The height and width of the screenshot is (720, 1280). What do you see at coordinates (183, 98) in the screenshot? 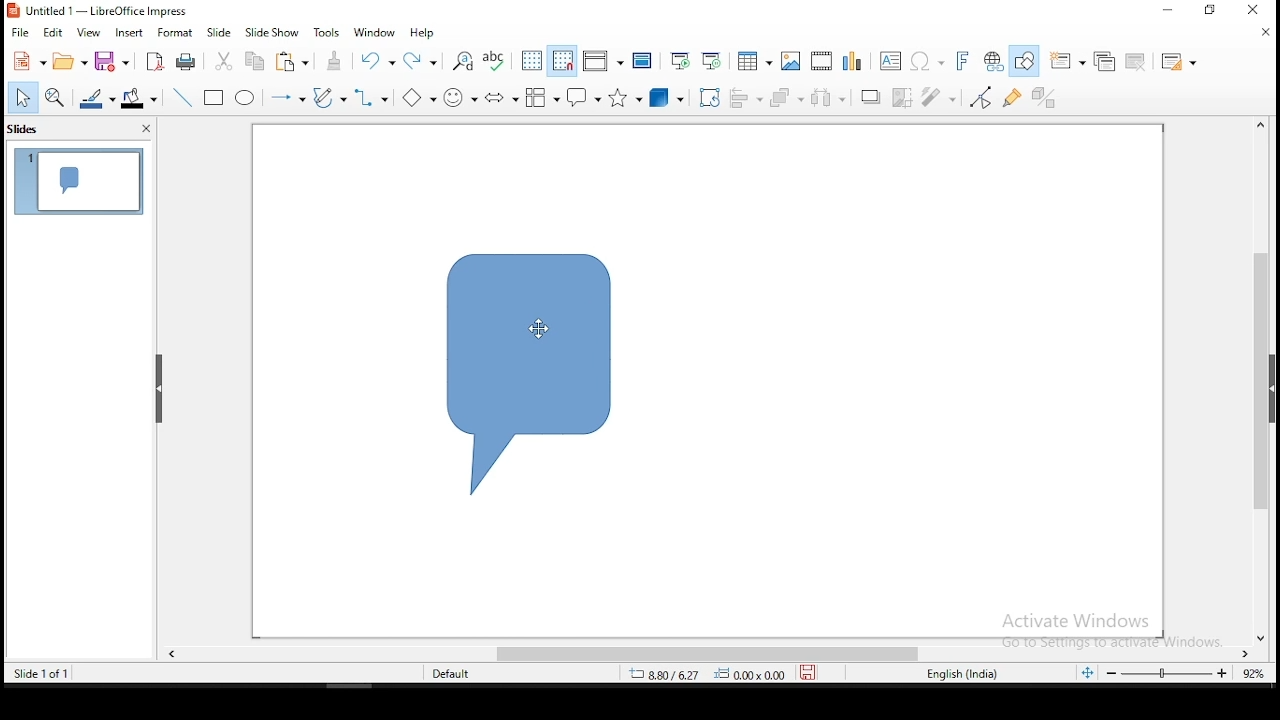
I see `line` at bounding box center [183, 98].